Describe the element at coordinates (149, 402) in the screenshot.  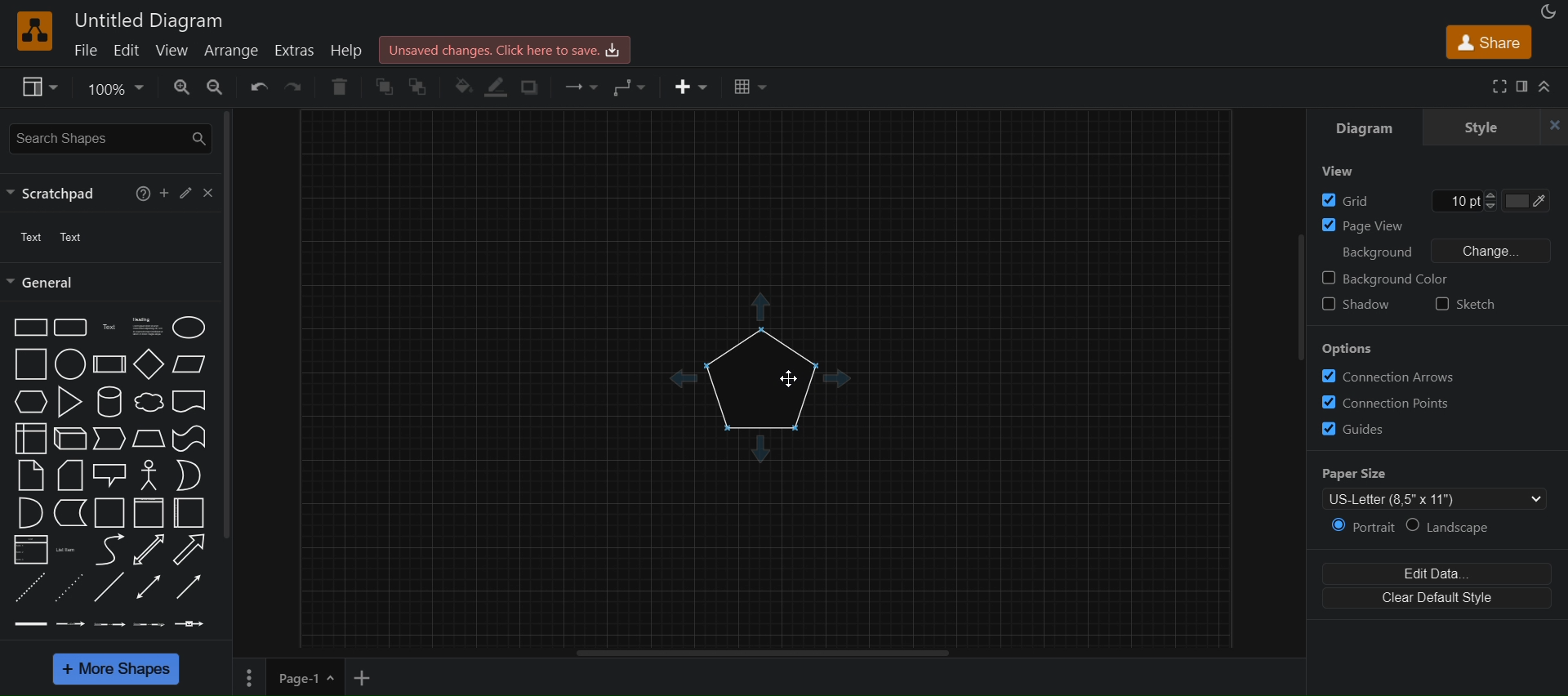
I see `Cloud` at that location.